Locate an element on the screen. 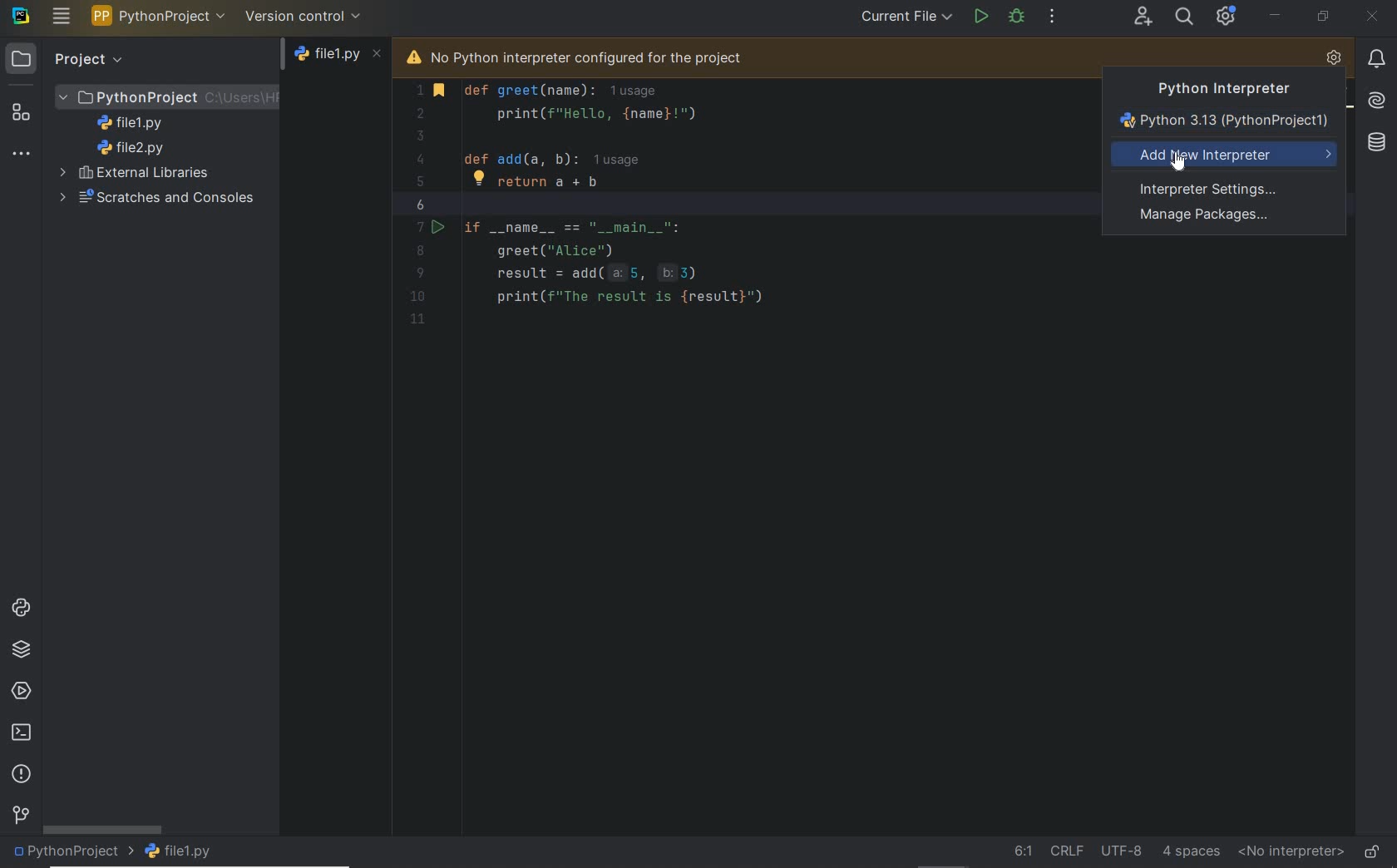 Image resolution: width=1397 pixels, height=868 pixels. file name is located at coordinates (182, 851).